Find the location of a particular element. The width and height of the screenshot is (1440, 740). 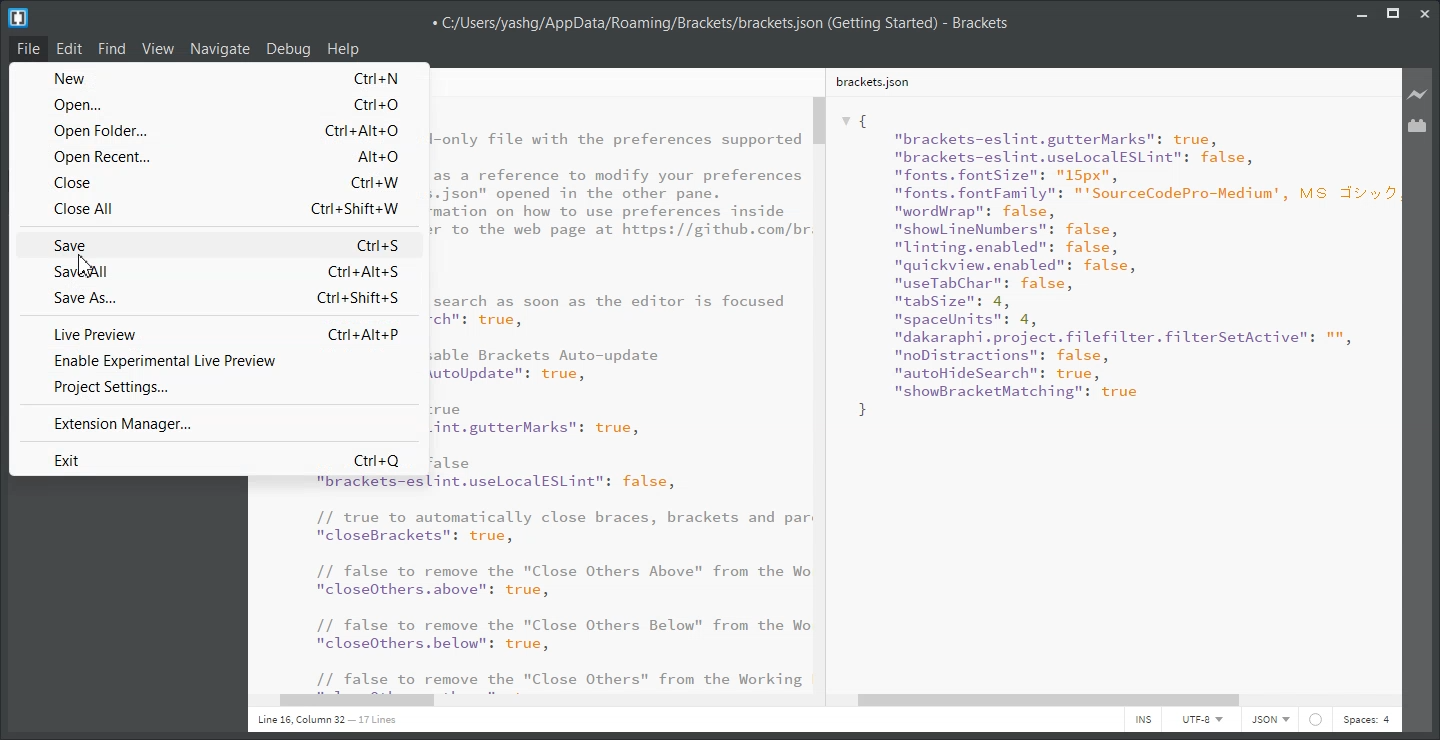

Line 1, Column 1 - 17 Lines is located at coordinates (324, 721).